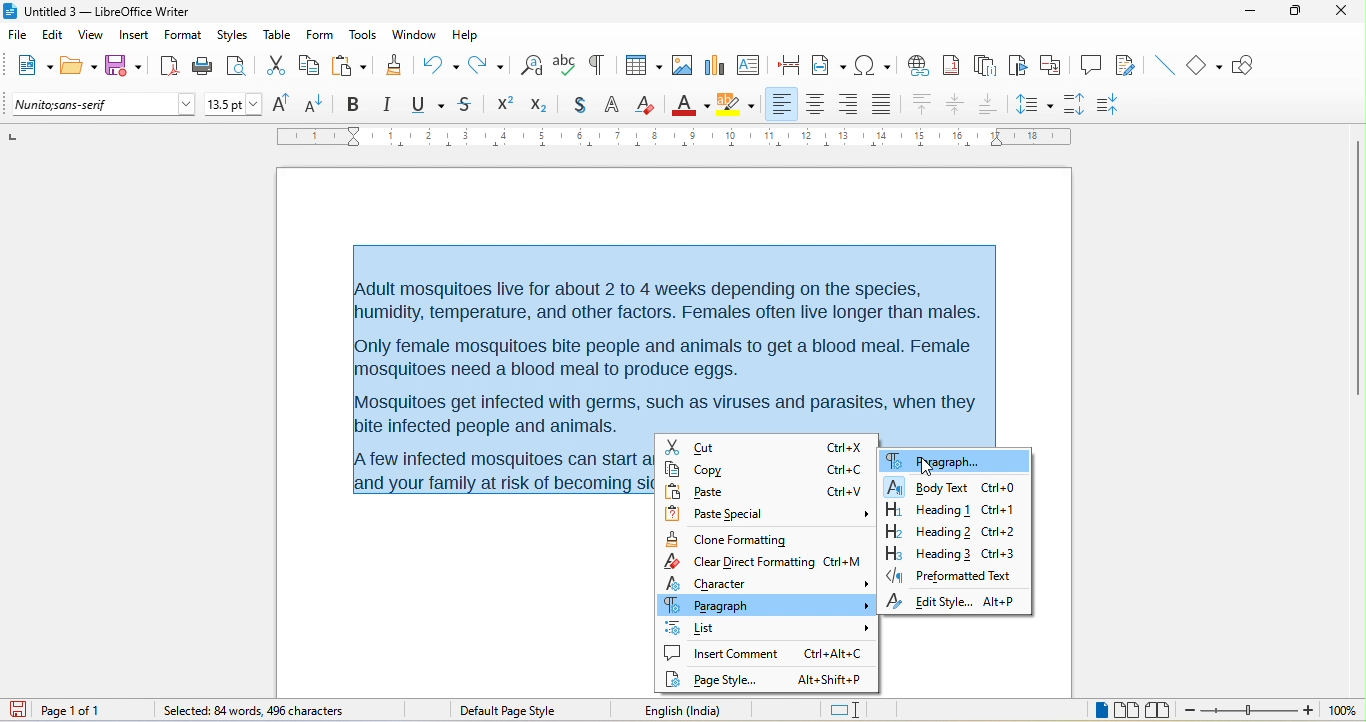 The width and height of the screenshot is (1366, 722). What do you see at coordinates (1338, 10) in the screenshot?
I see `close` at bounding box center [1338, 10].